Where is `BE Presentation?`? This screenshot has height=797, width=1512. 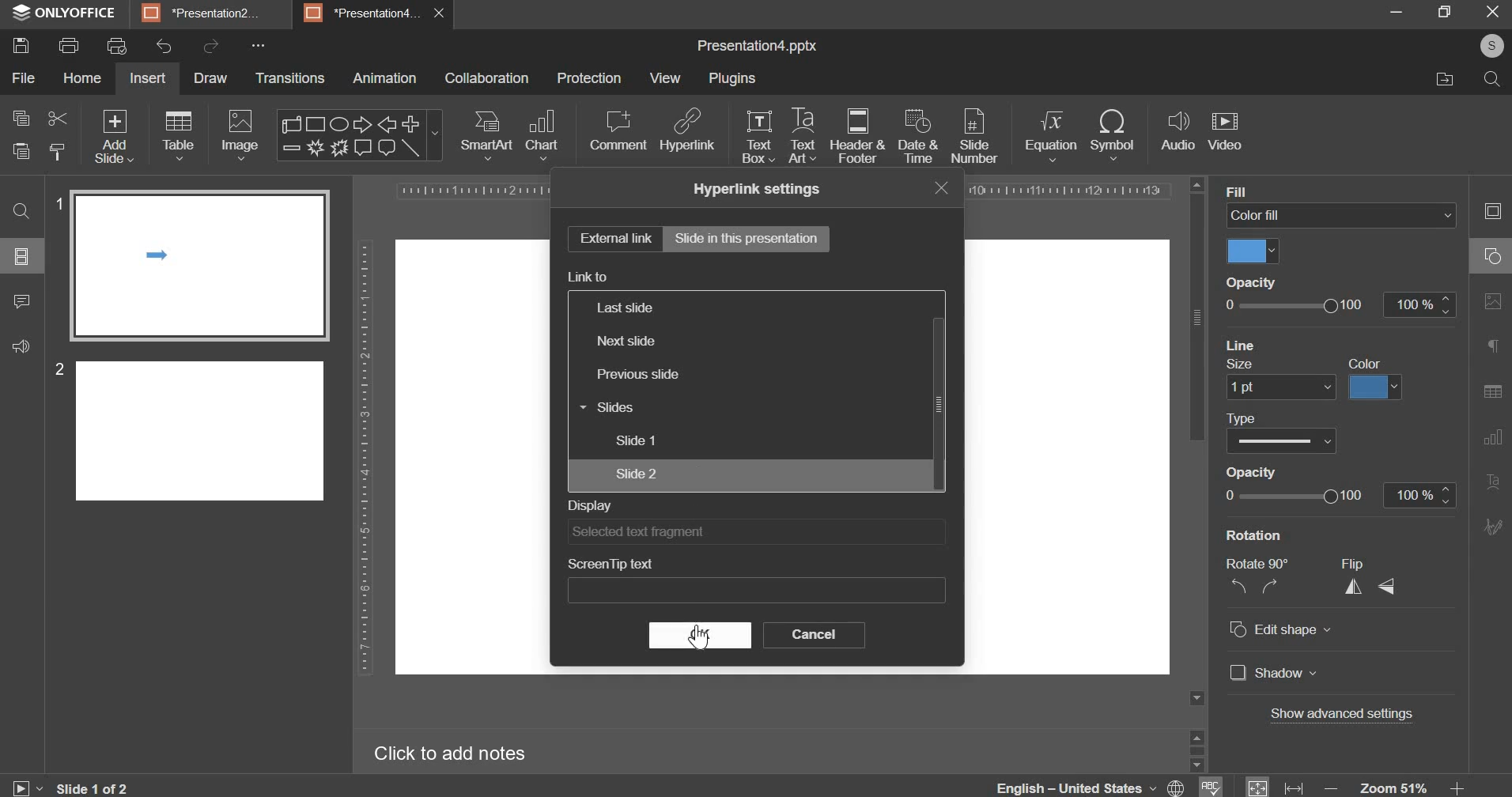 BE Presentation? is located at coordinates (210, 13).